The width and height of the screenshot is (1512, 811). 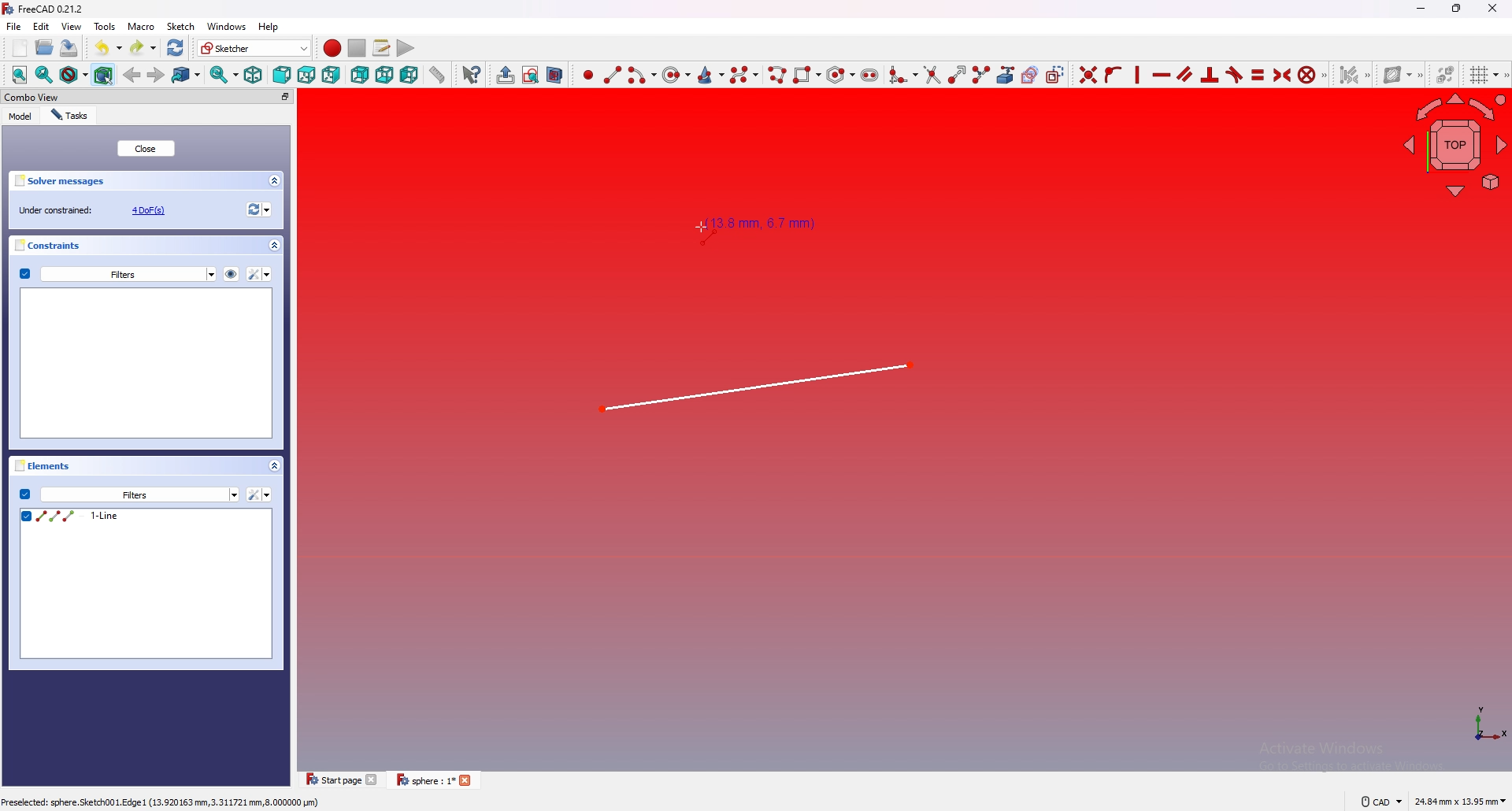 What do you see at coordinates (502, 74) in the screenshot?
I see `Leave sketch` at bounding box center [502, 74].